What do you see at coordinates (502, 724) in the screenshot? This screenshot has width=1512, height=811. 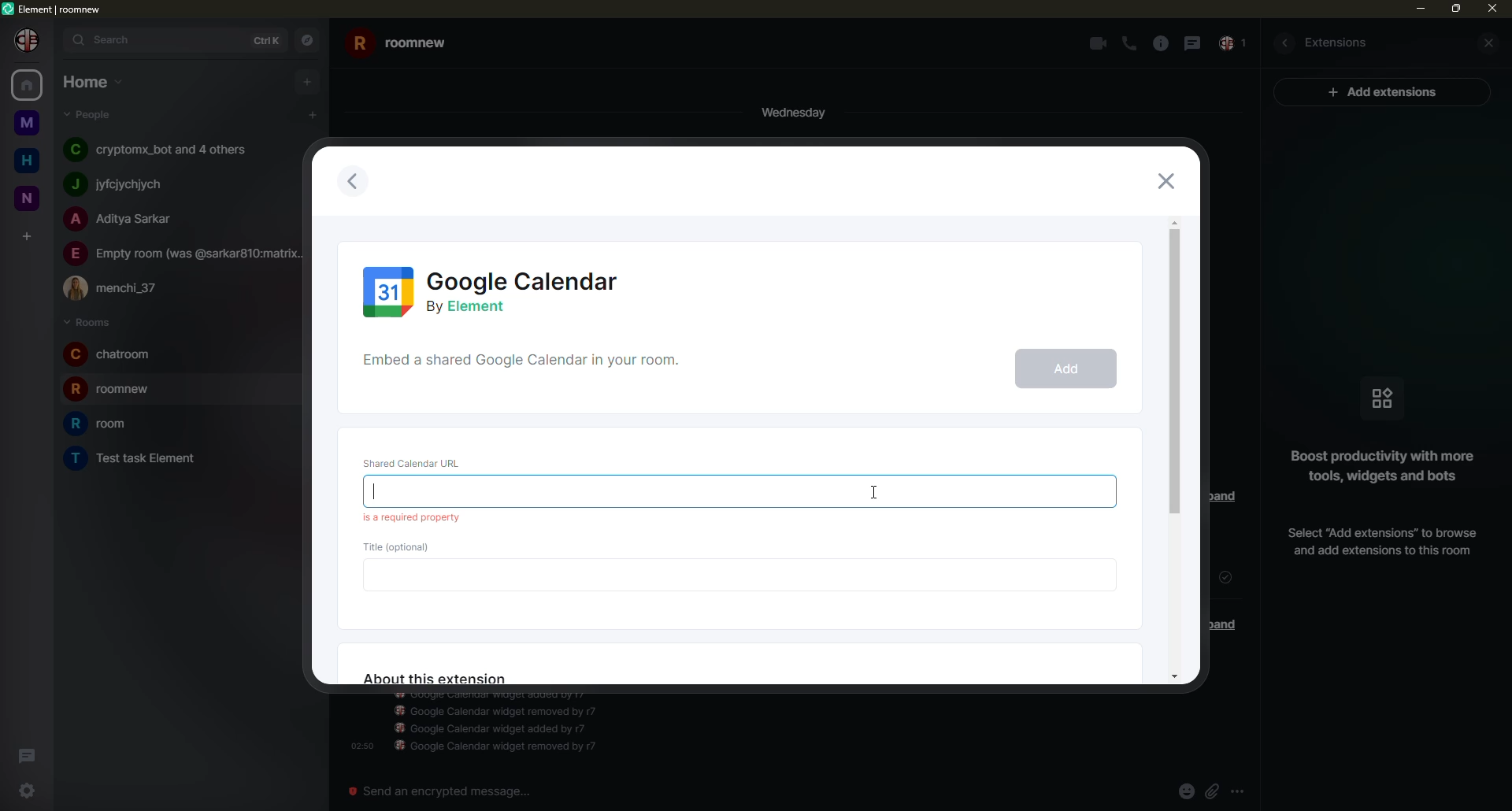 I see `info` at bounding box center [502, 724].